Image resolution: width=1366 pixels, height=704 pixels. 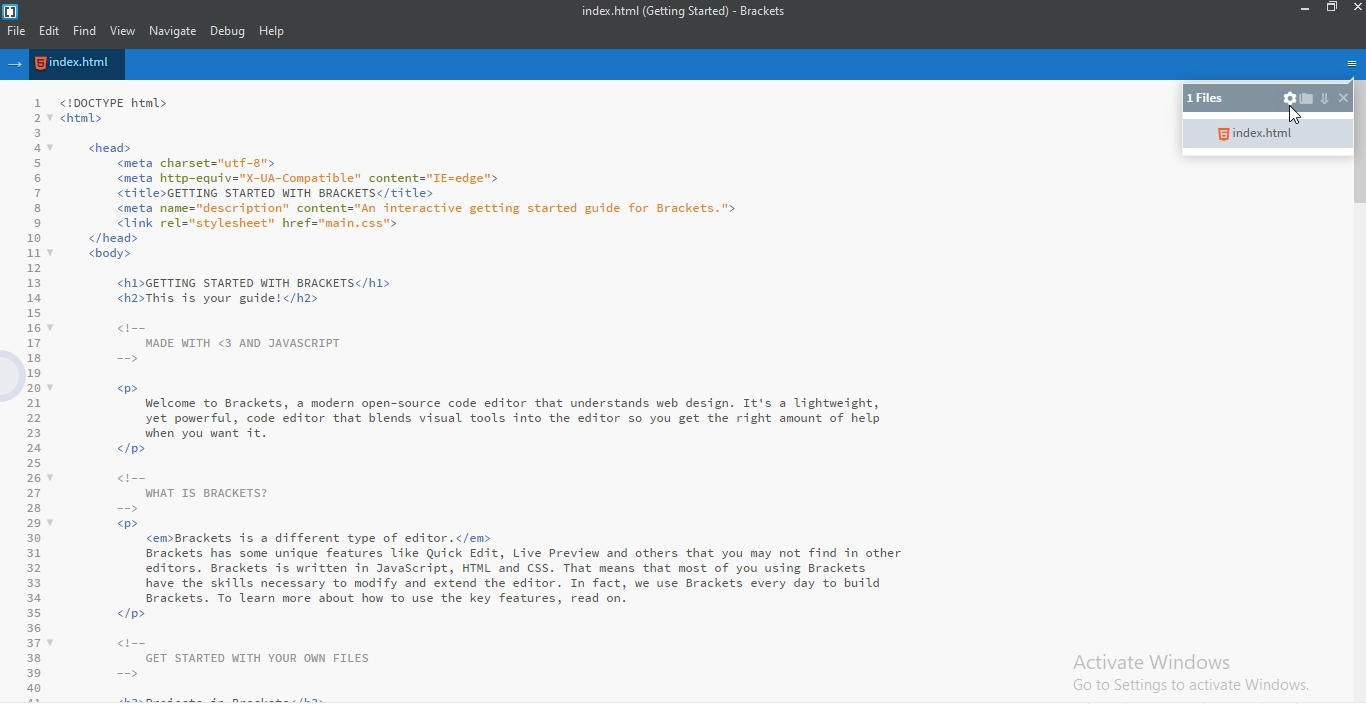 I want to click on index.html (Getting Started) - Brackets, so click(x=692, y=10).